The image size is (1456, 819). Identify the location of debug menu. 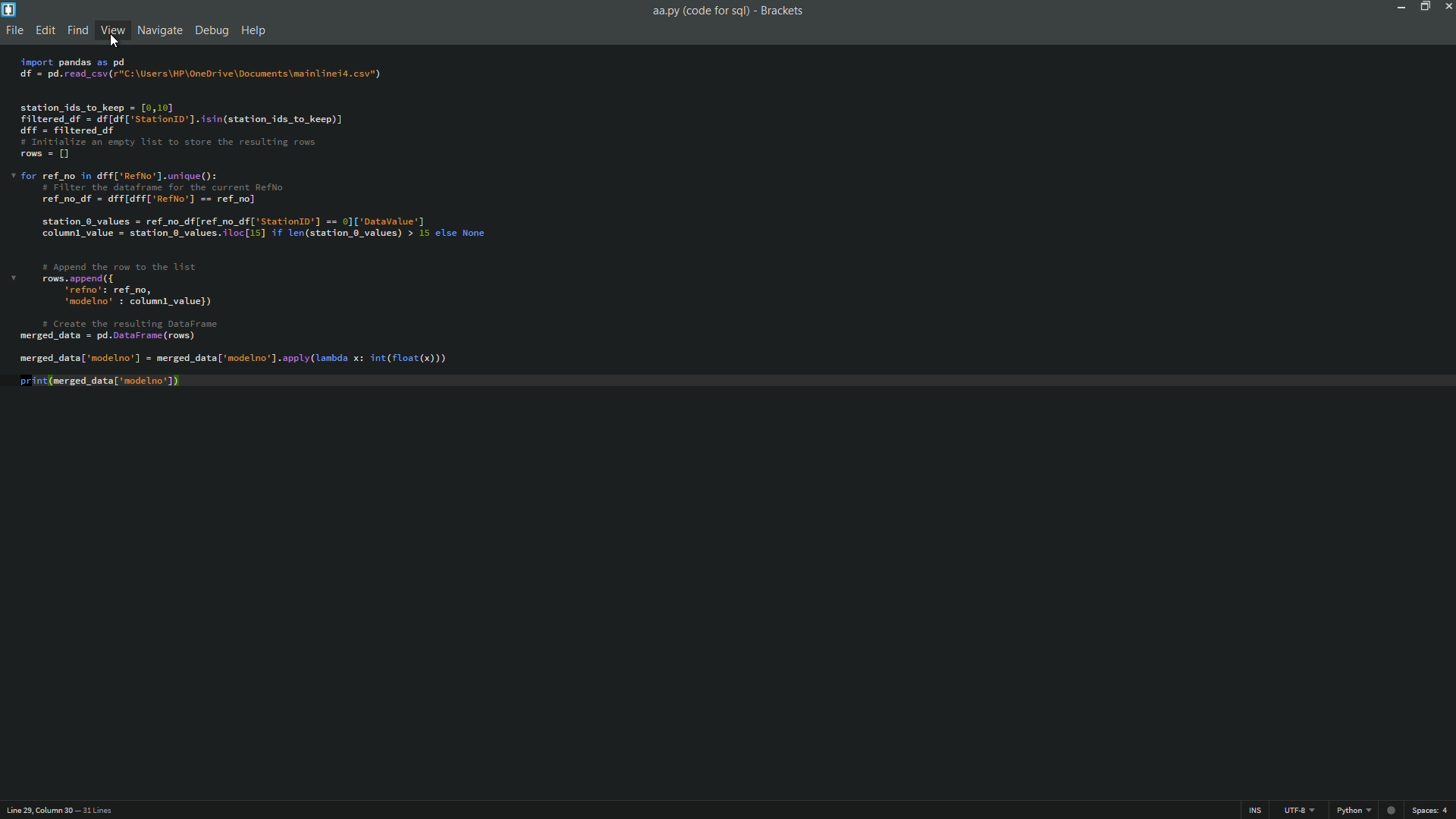
(212, 30).